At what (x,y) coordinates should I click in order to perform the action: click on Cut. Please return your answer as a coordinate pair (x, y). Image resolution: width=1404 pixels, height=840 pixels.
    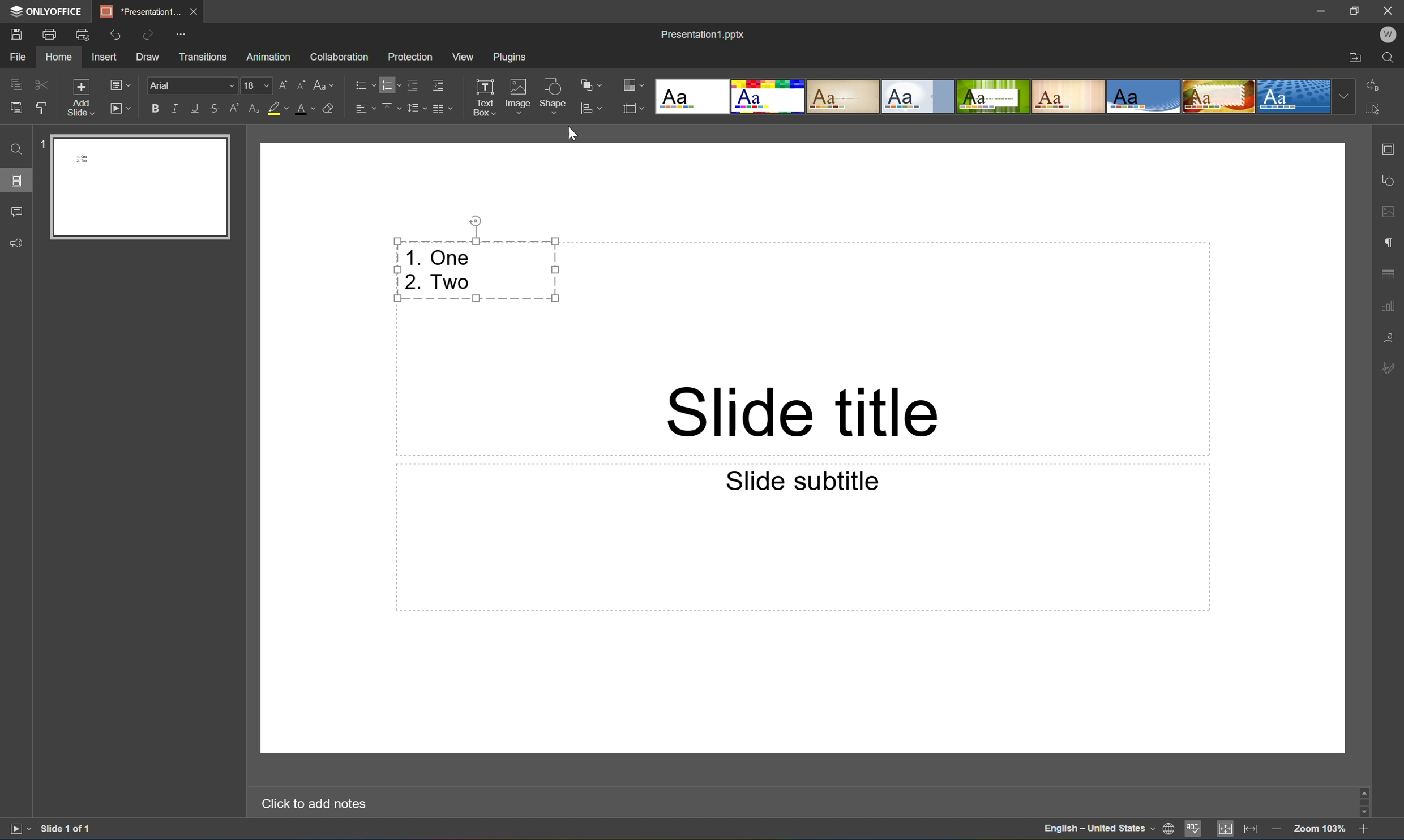
    Looking at the image, I should click on (41, 82).